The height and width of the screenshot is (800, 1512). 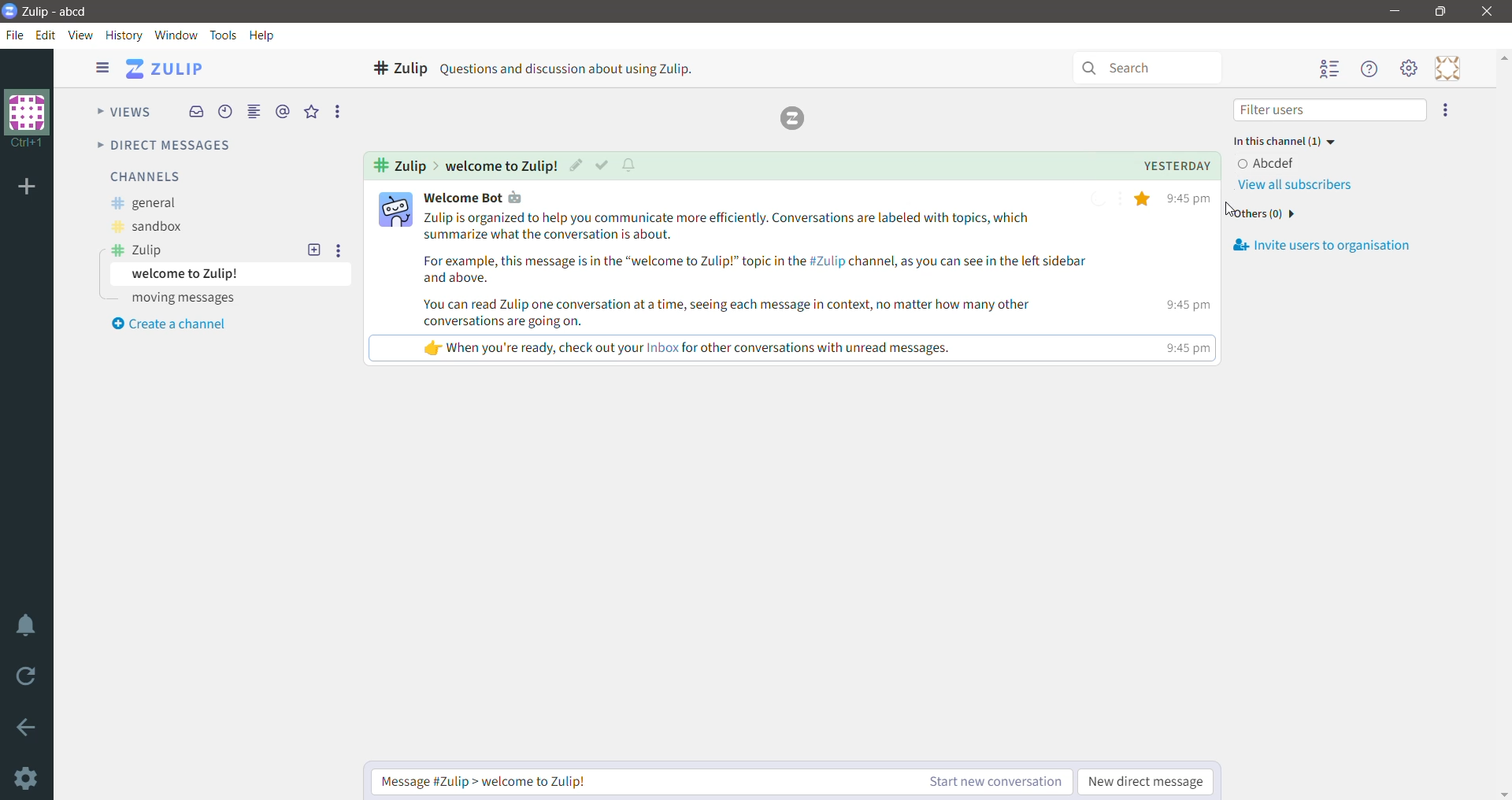 I want to click on 9:45 pm |, so click(x=1180, y=306).